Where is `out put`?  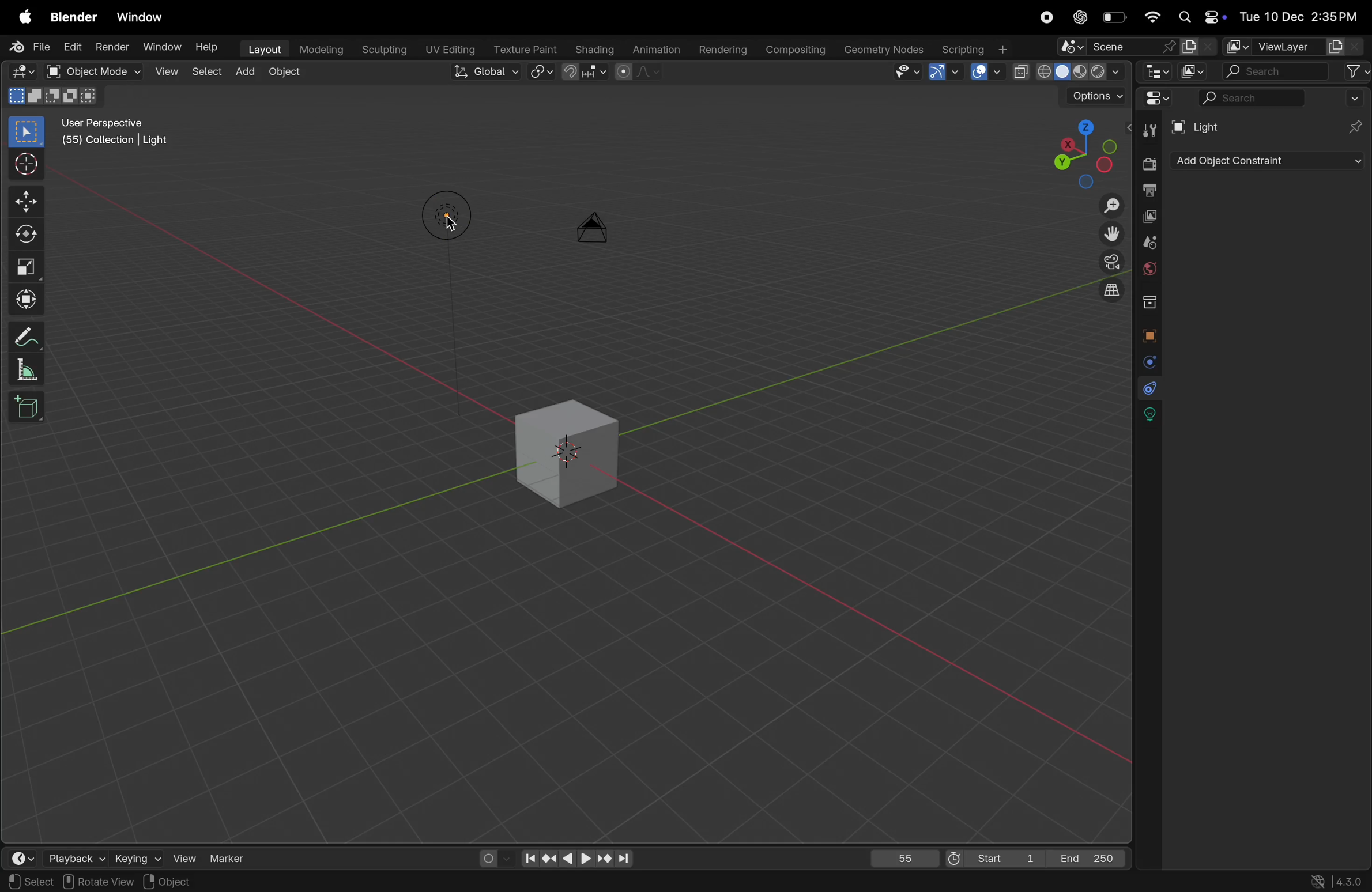
out put is located at coordinates (1149, 189).